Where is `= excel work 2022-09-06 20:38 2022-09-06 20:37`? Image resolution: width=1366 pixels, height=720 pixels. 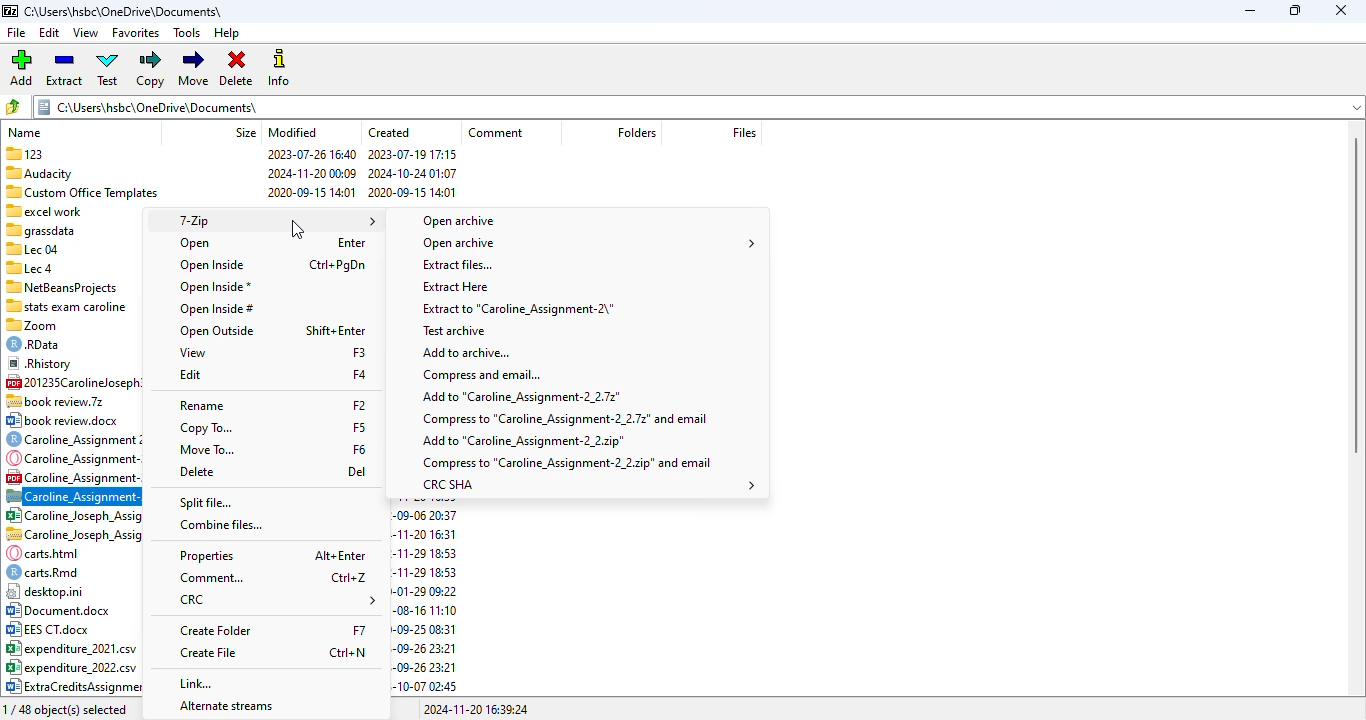
= excel work 2022-09-06 20:38 2022-09-06 20:37 is located at coordinates (71, 210).